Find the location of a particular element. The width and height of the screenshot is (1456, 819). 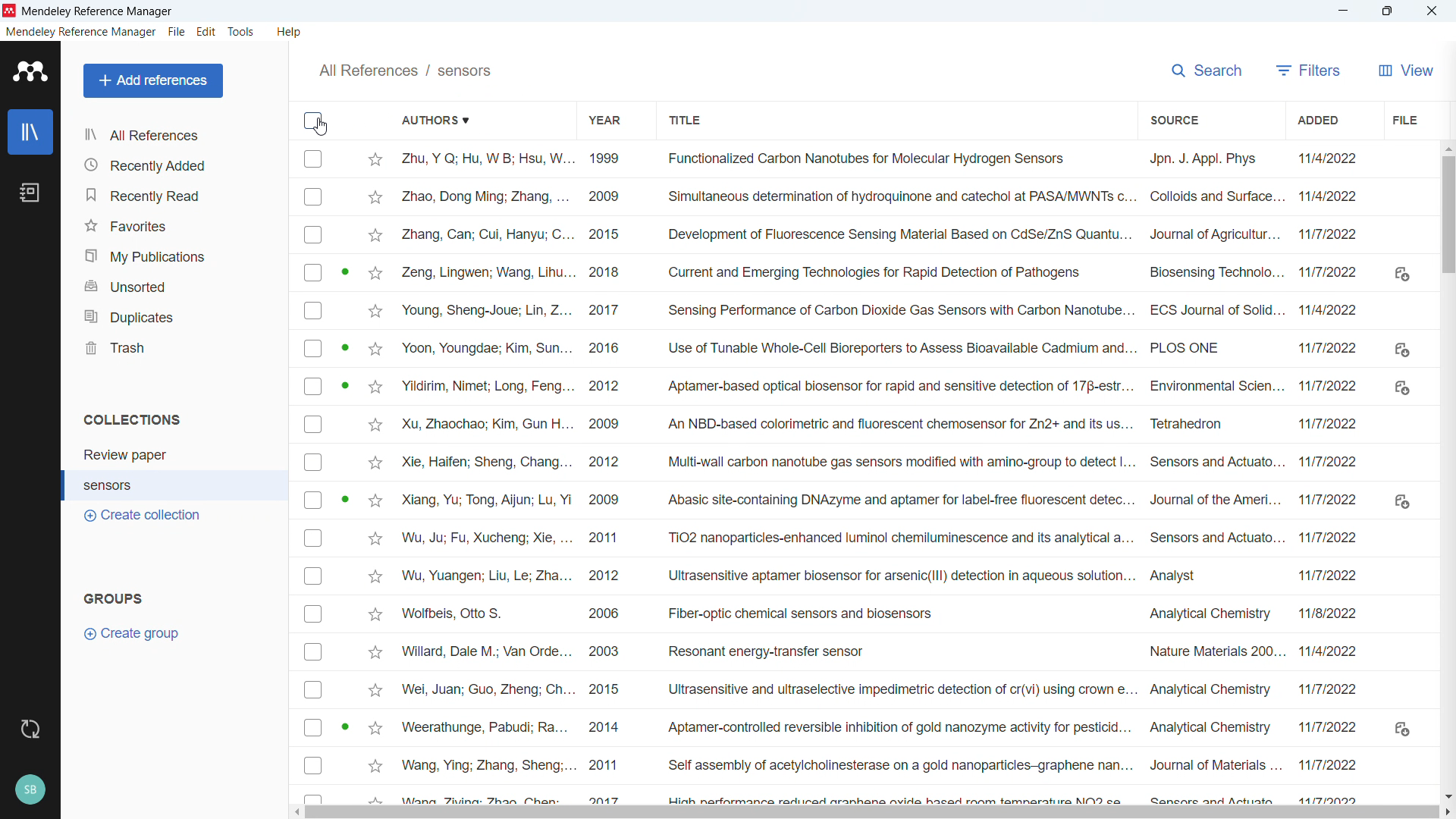

Select all entries  is located at coordinates (313, 120).